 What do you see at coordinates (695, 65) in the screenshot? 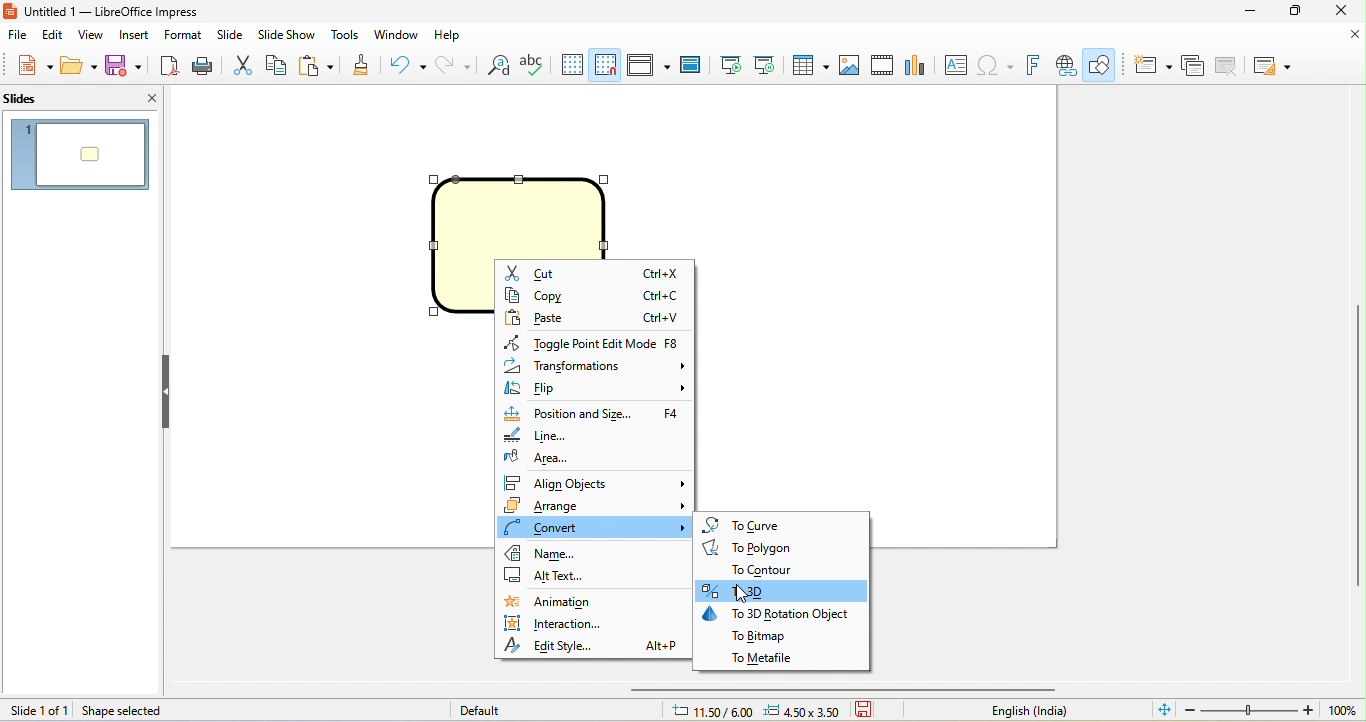
I see `master slide` at bounding box center [695, 65].